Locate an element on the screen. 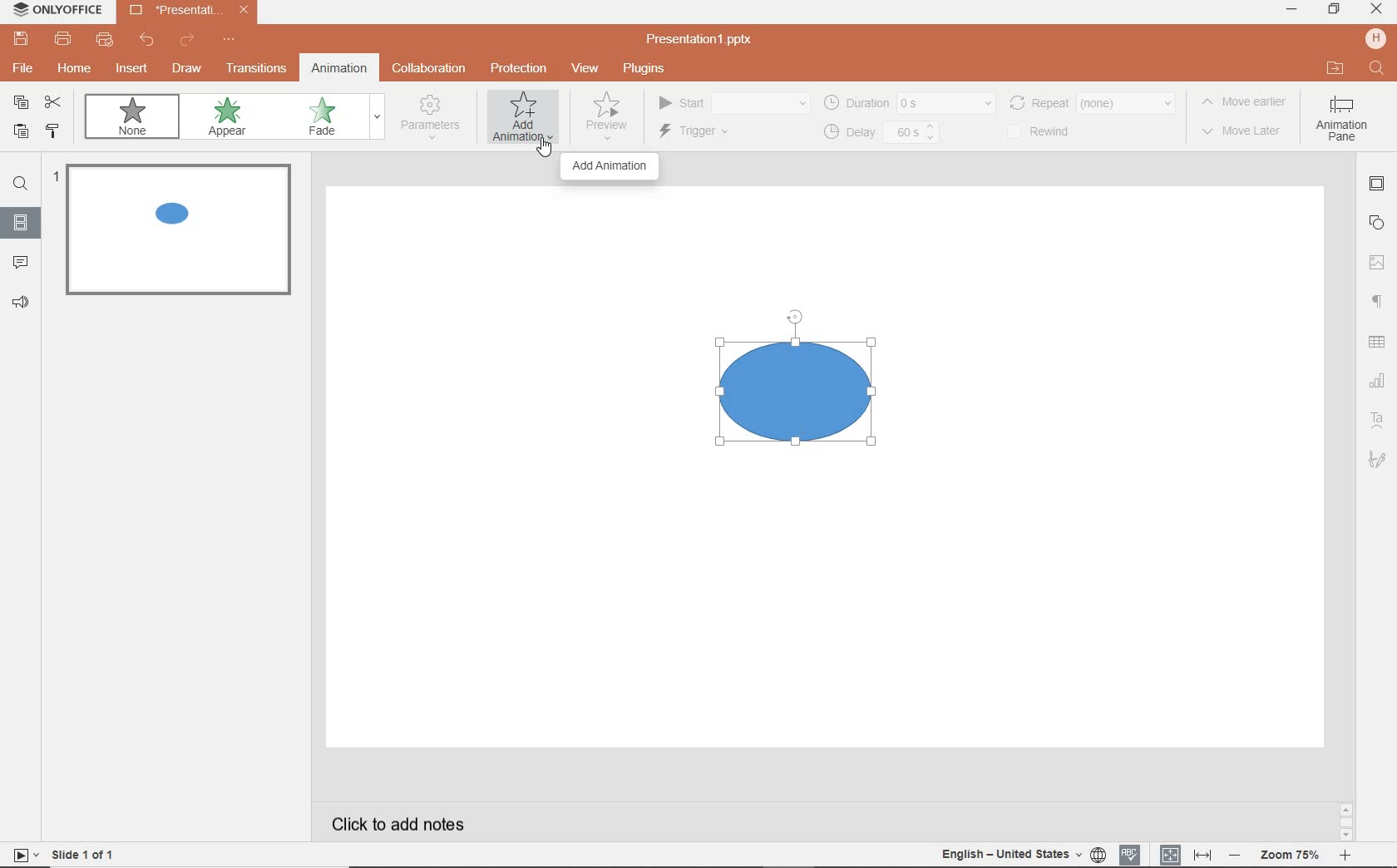 This screenshot has width=1397, height=868. transitions is located at coordinates (256, 70).